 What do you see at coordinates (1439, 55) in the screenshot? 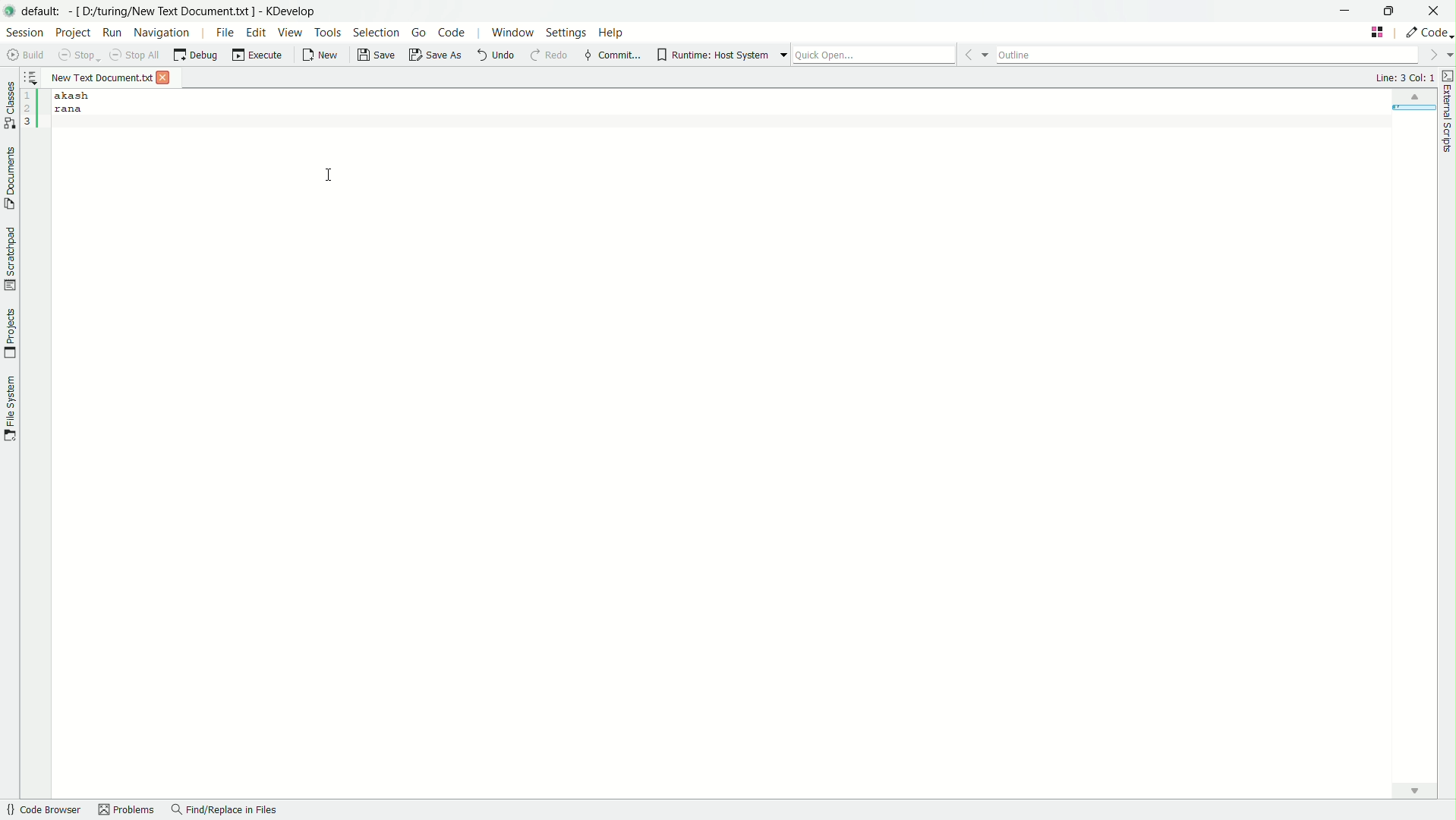
I see `more options` at bounding box center [1439, 55].